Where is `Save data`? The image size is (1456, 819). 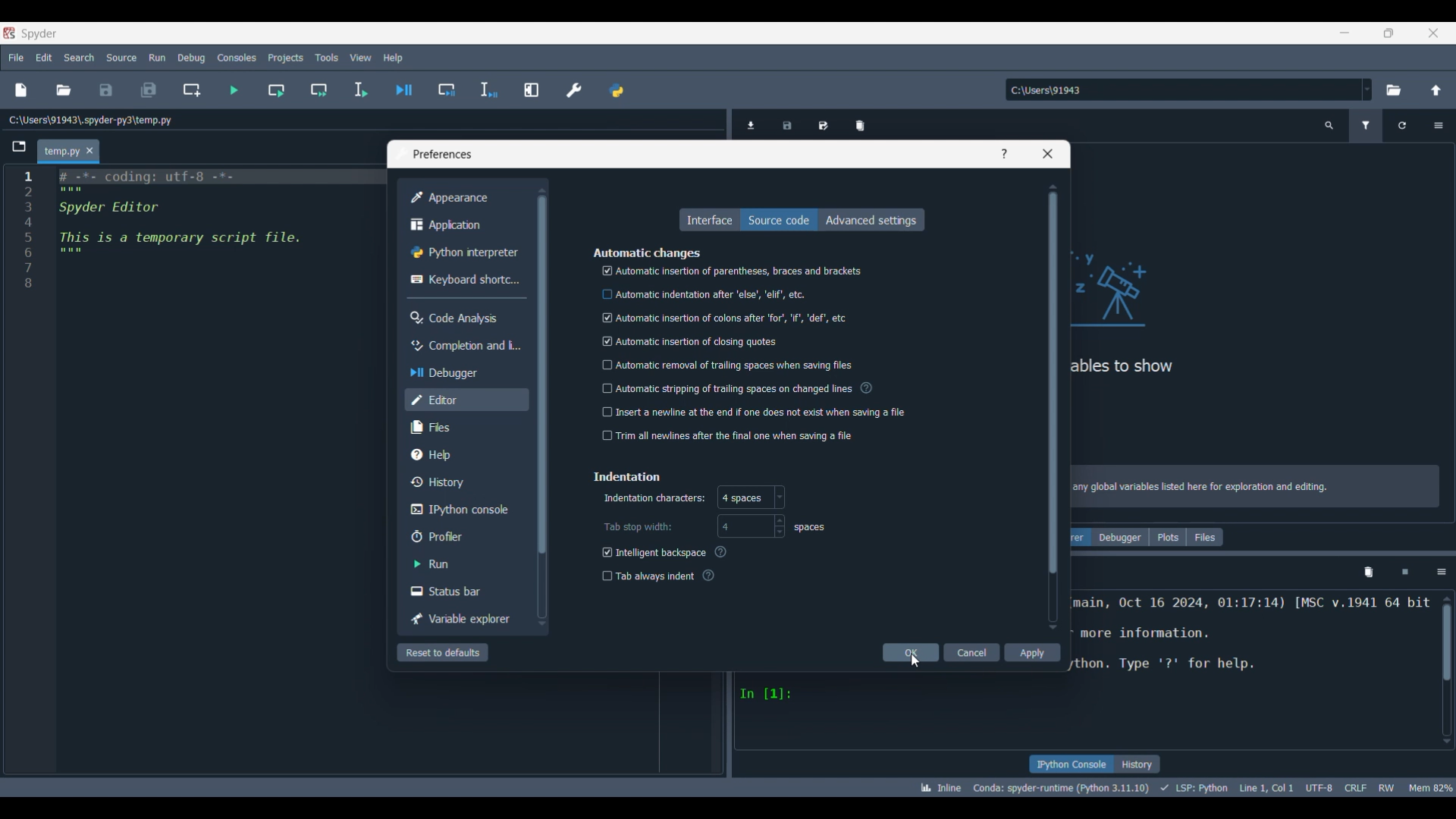
Save data is located at coordinates (786, 124).